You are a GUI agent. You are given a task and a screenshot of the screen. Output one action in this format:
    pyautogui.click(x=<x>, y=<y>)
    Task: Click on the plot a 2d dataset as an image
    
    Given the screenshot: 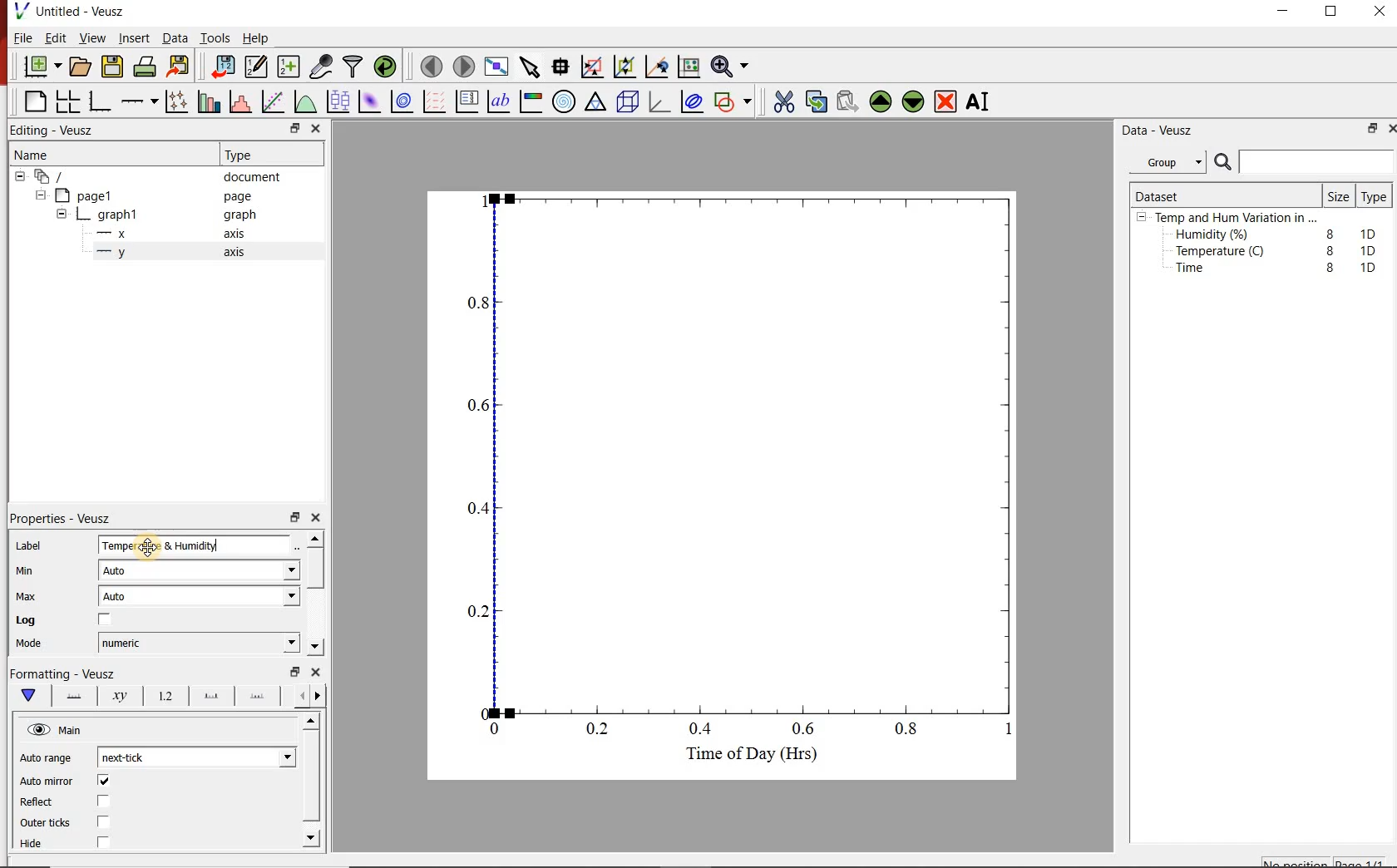 What is the action you would take?
    pyautogui.click(x=370, y=102)
    